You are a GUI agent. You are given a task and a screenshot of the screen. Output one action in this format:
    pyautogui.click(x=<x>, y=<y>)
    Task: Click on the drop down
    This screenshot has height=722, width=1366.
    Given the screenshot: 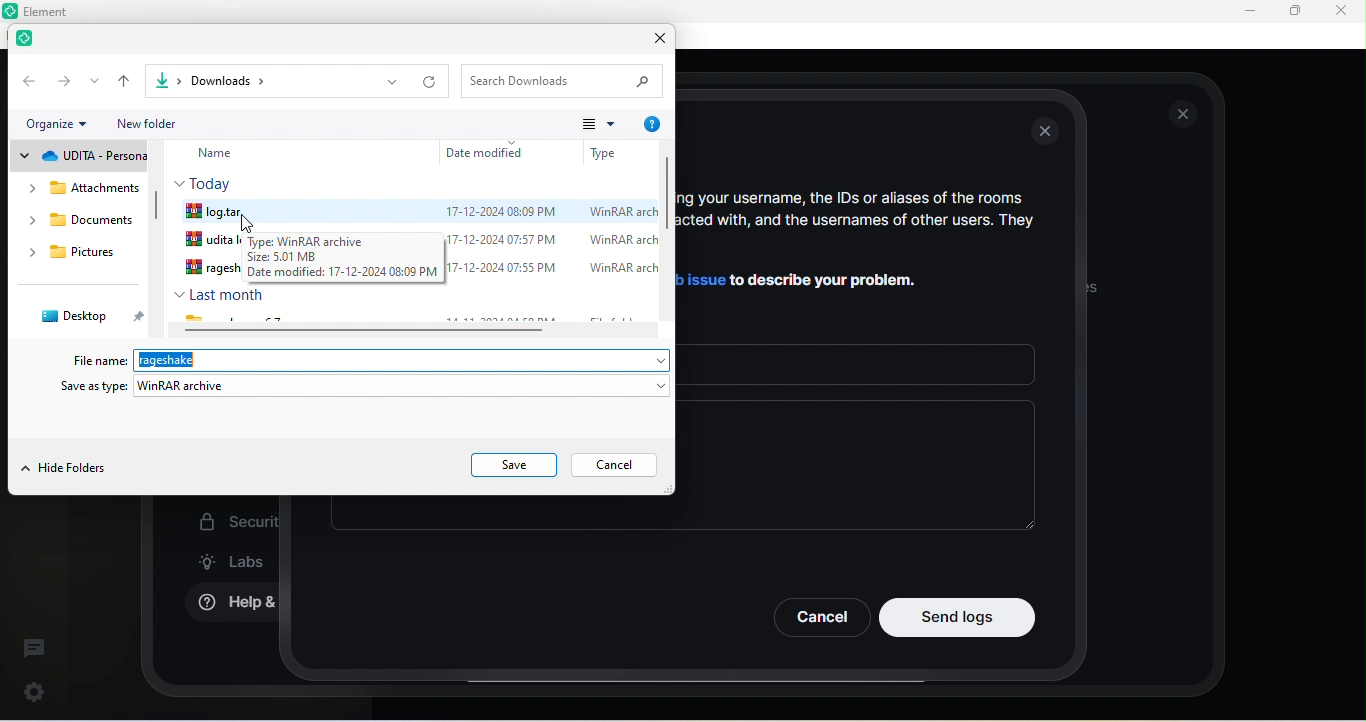 What is the action you would take?
    pyautogui.click(x=391, y=82)
    